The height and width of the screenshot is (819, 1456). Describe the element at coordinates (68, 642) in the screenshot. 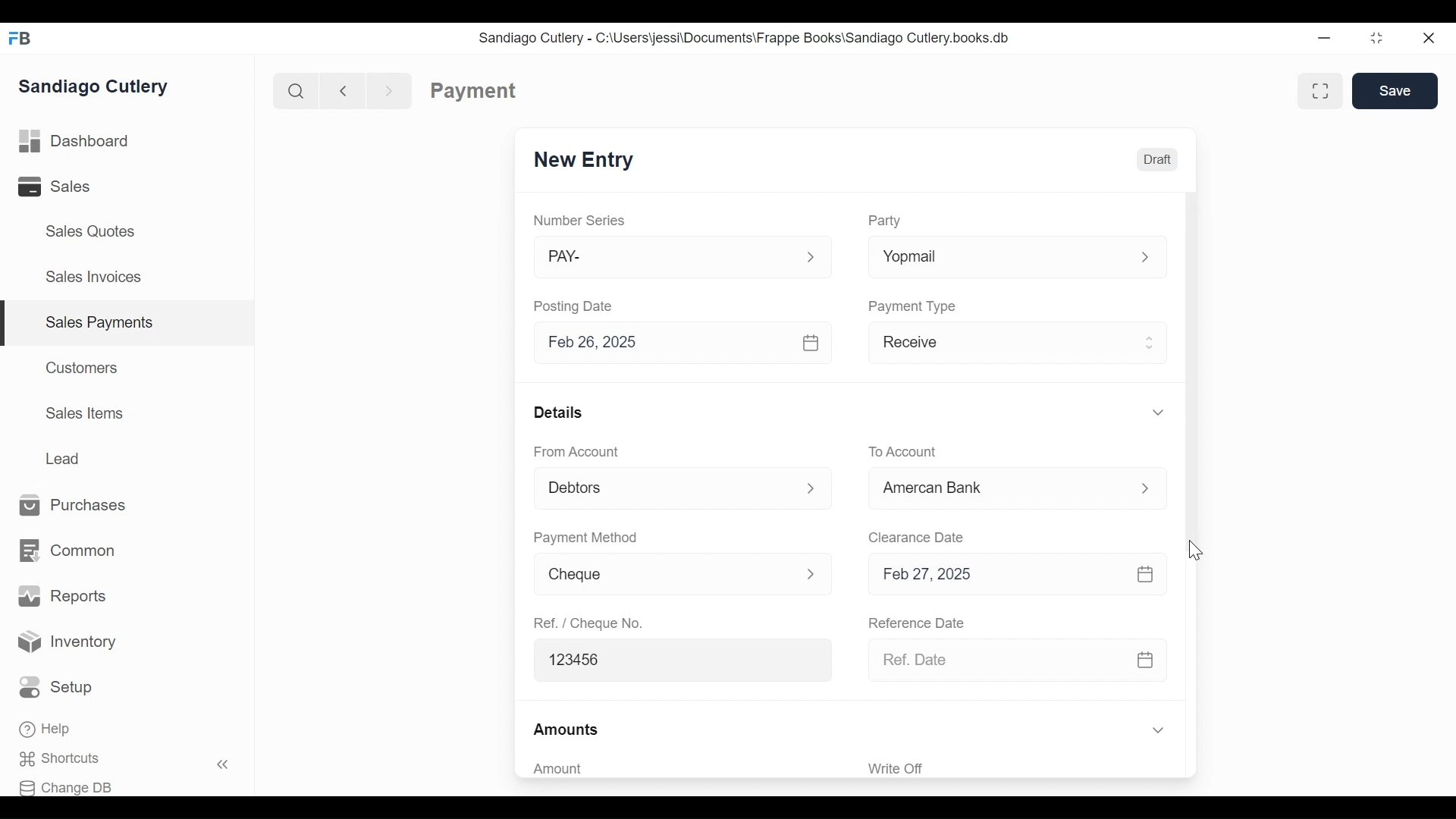

I see `Inventory` at that location.